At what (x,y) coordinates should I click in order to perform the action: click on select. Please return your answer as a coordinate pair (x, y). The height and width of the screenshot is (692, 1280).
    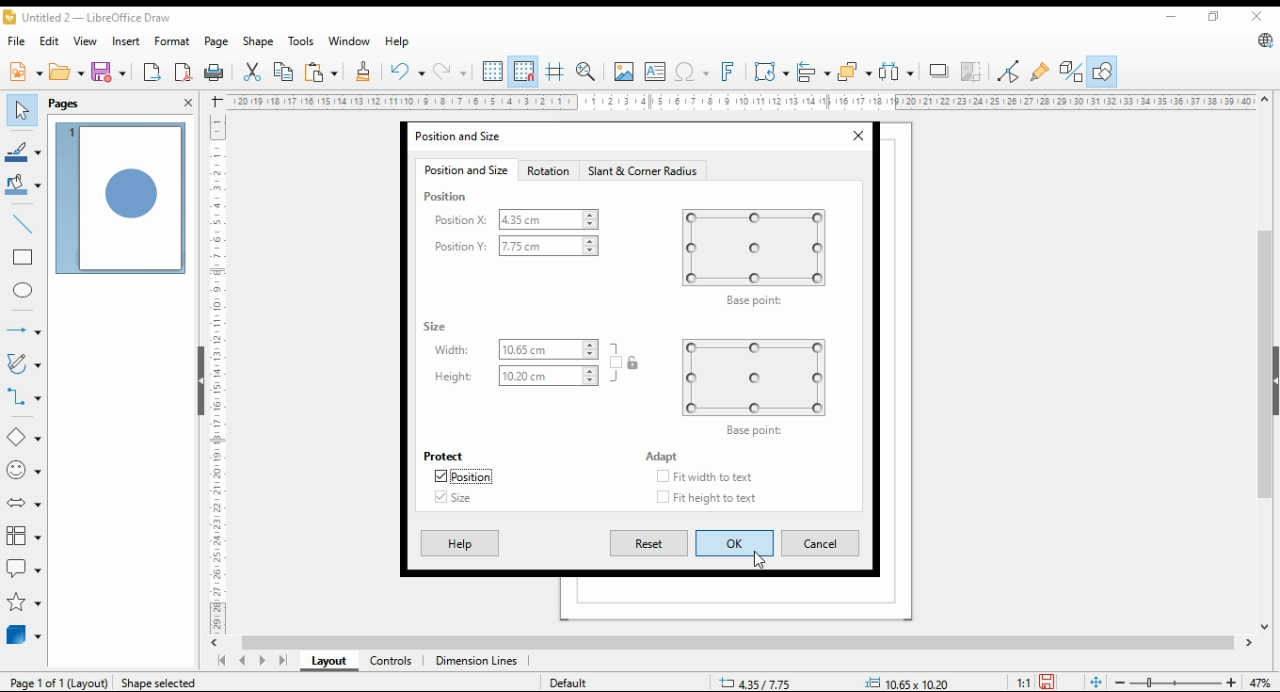
    Looking at the image, I should click on (22, 110).